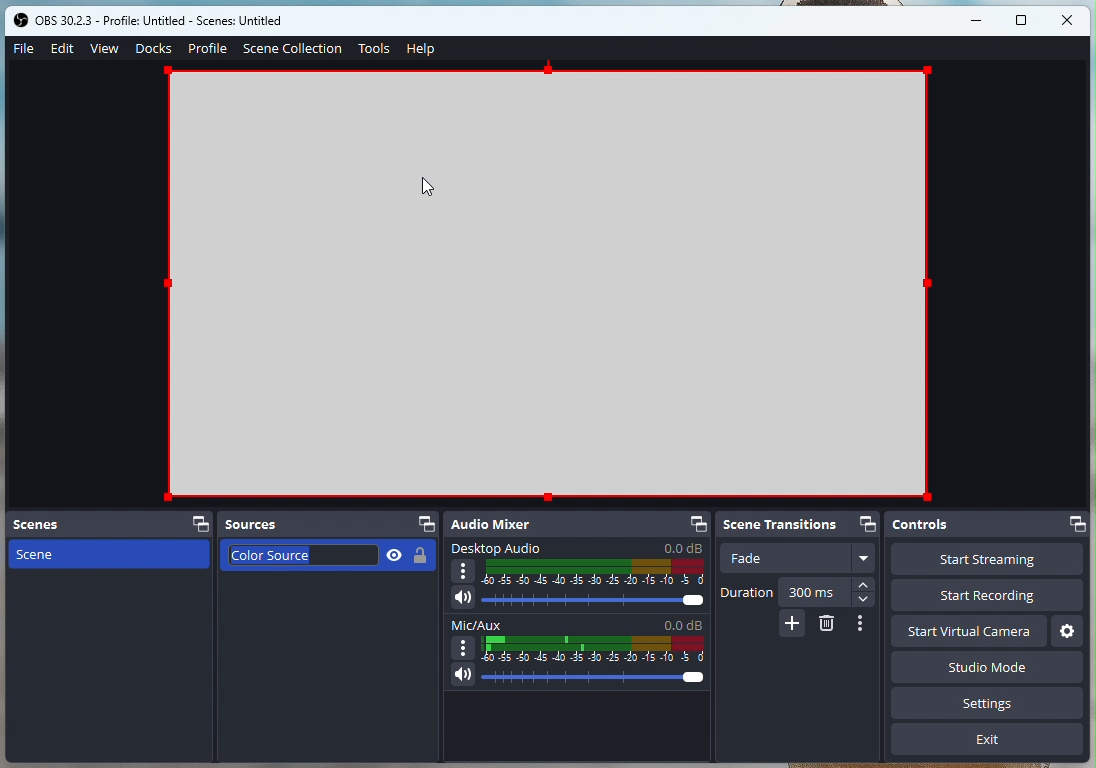 This screenshot has height=768, width=1096. Describe the element at coordinates (65, 50) in the screenshot. I see `Edit` at that location.